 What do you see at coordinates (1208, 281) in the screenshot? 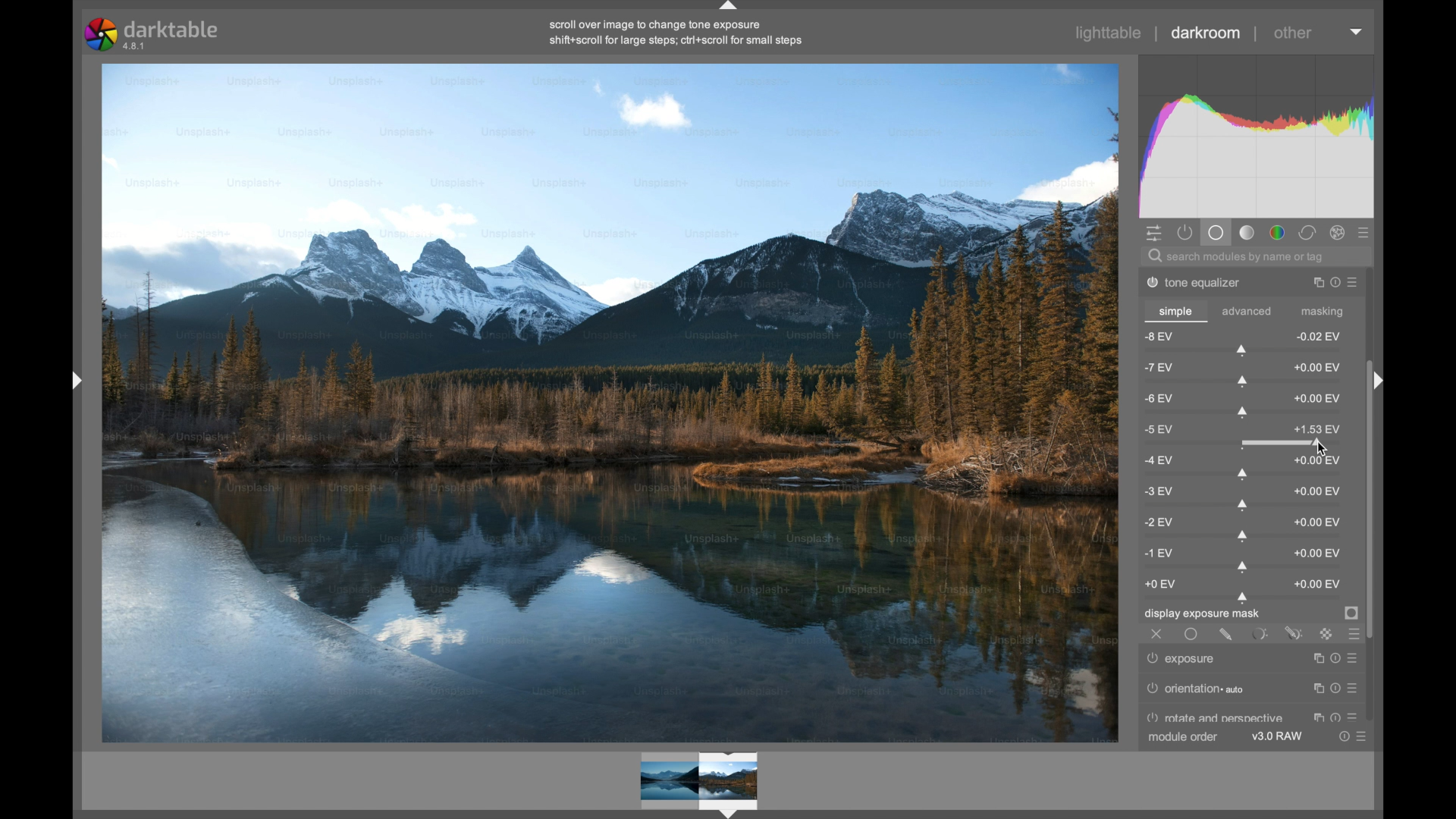
I see `tone equalizer` at bounding box center [1208, 281].